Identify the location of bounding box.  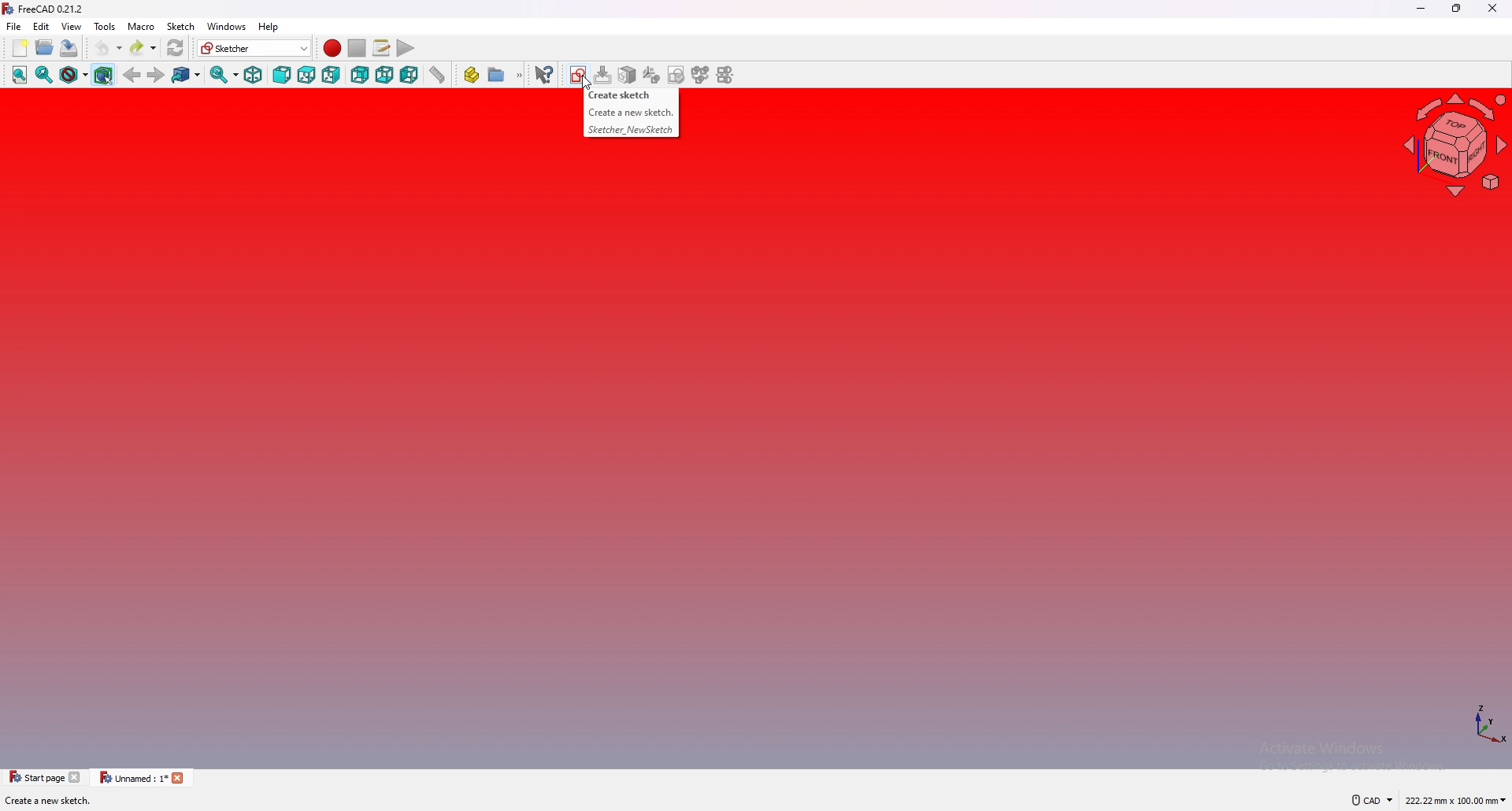
(104, 75).